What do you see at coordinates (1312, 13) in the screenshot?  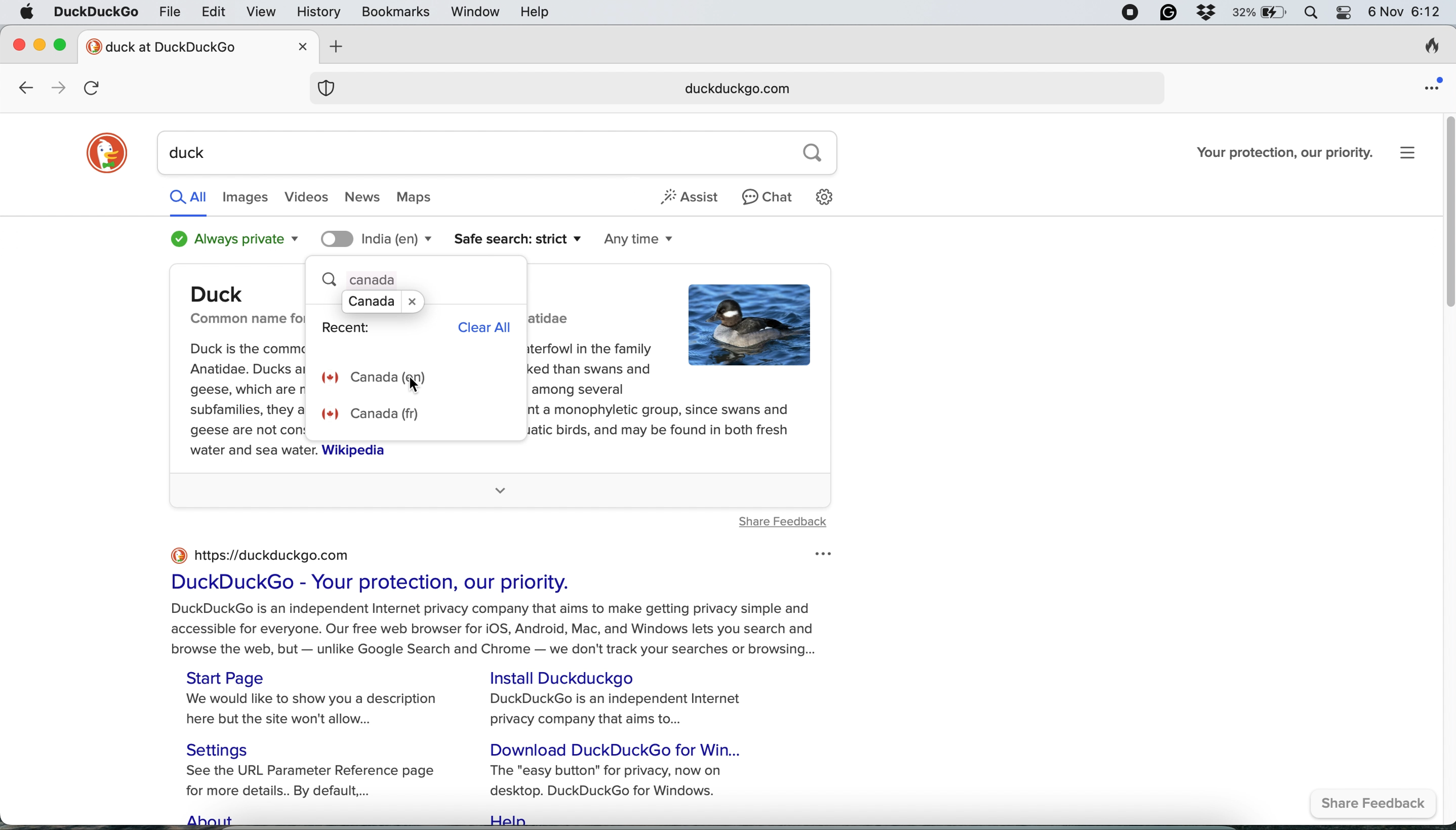 I see `spotlight search` at bounding box center [1312, 13].